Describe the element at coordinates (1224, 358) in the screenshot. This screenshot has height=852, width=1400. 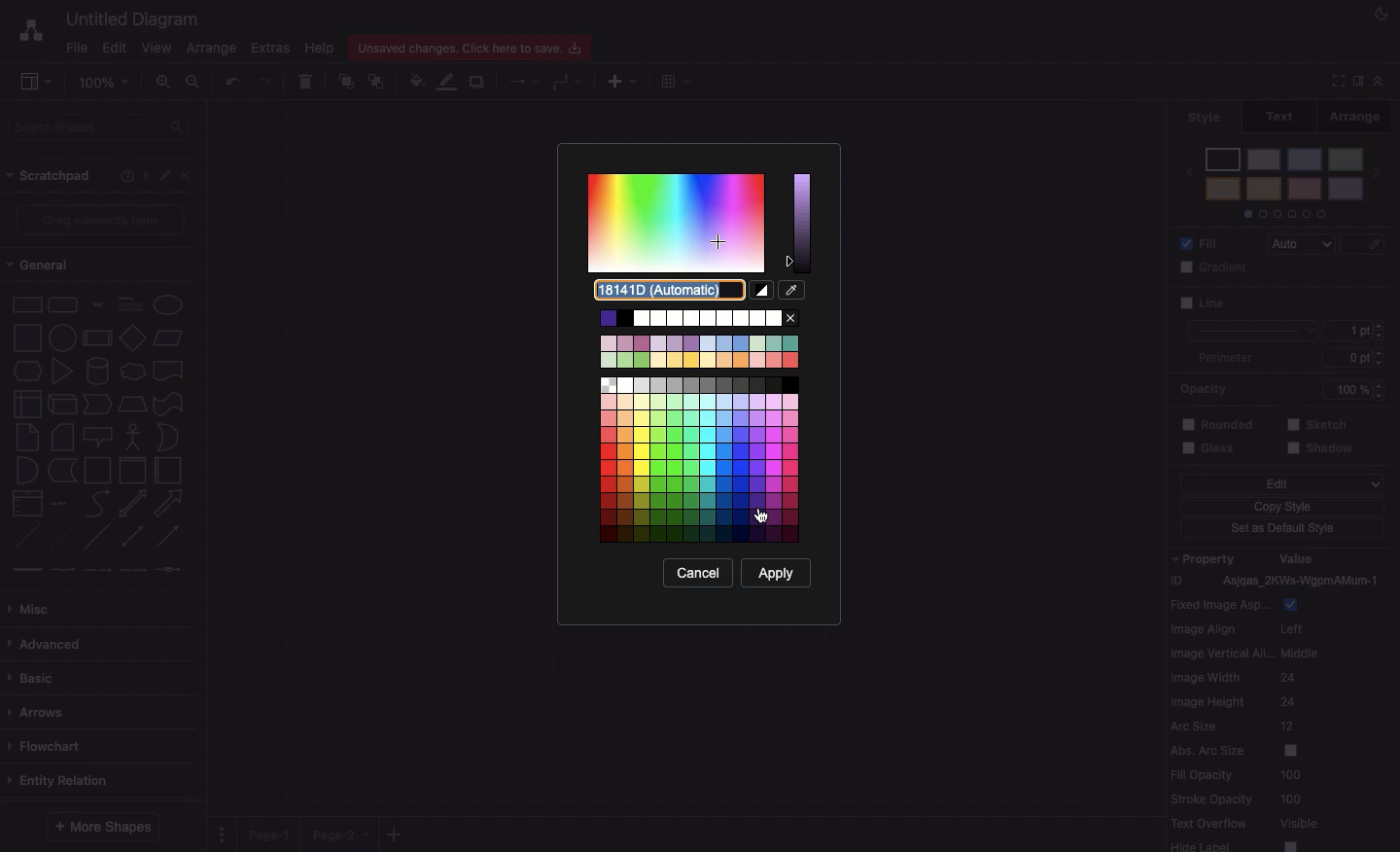
I see `Perimeter` at that location.